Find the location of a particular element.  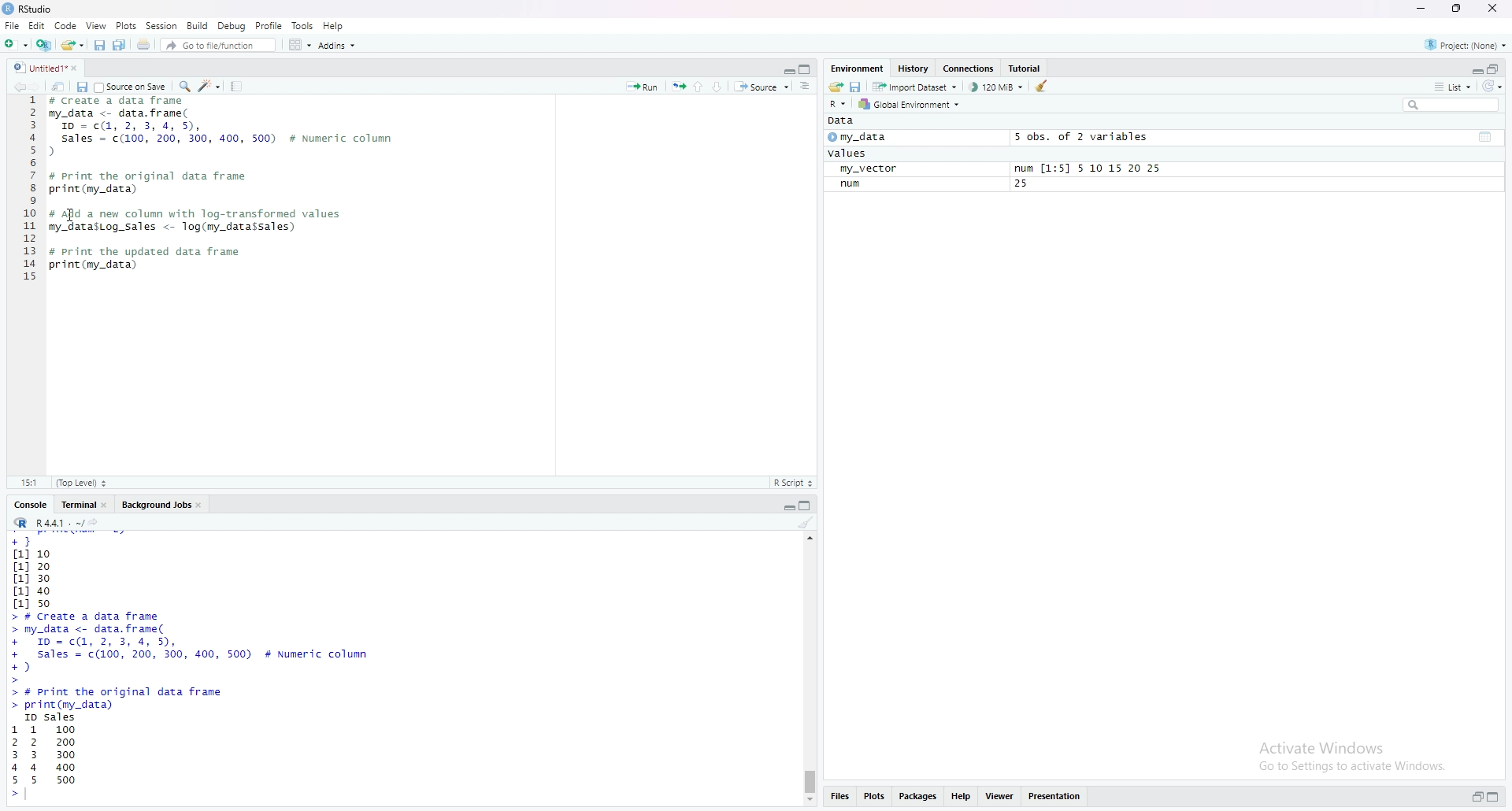

terminal is located at coordinates (76, 505).